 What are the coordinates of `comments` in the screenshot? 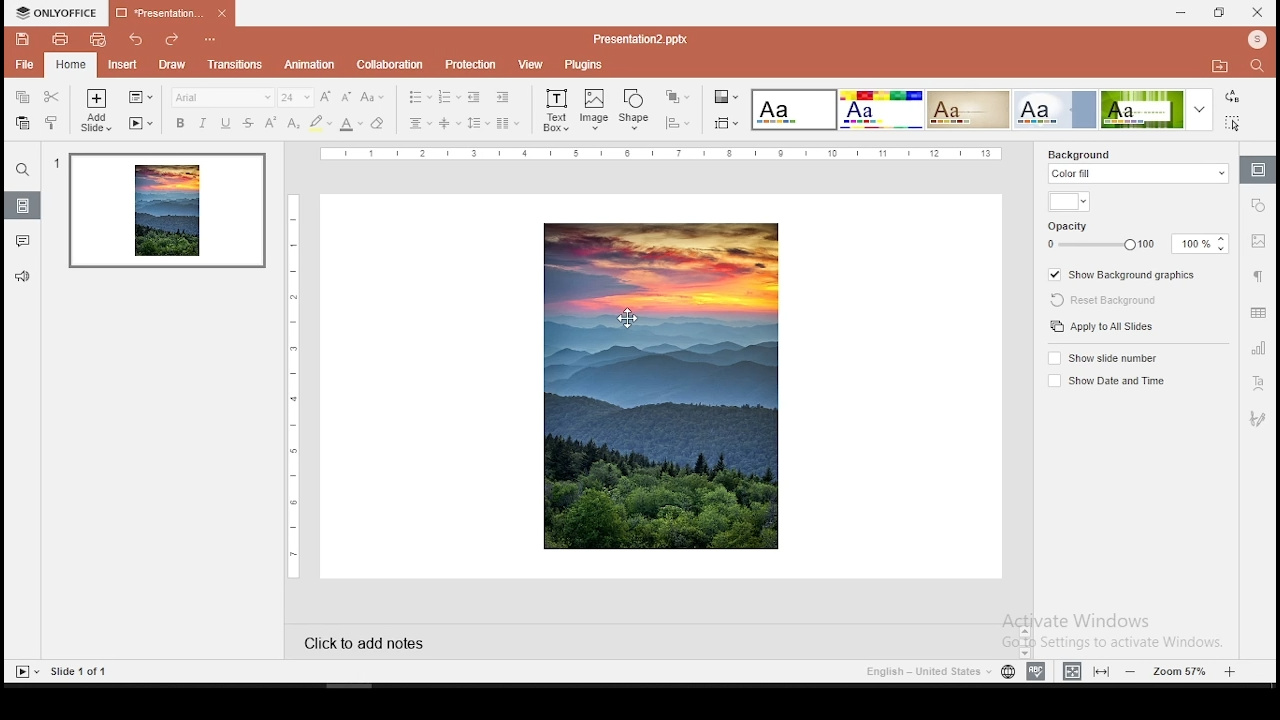 It's located at (24, 240).